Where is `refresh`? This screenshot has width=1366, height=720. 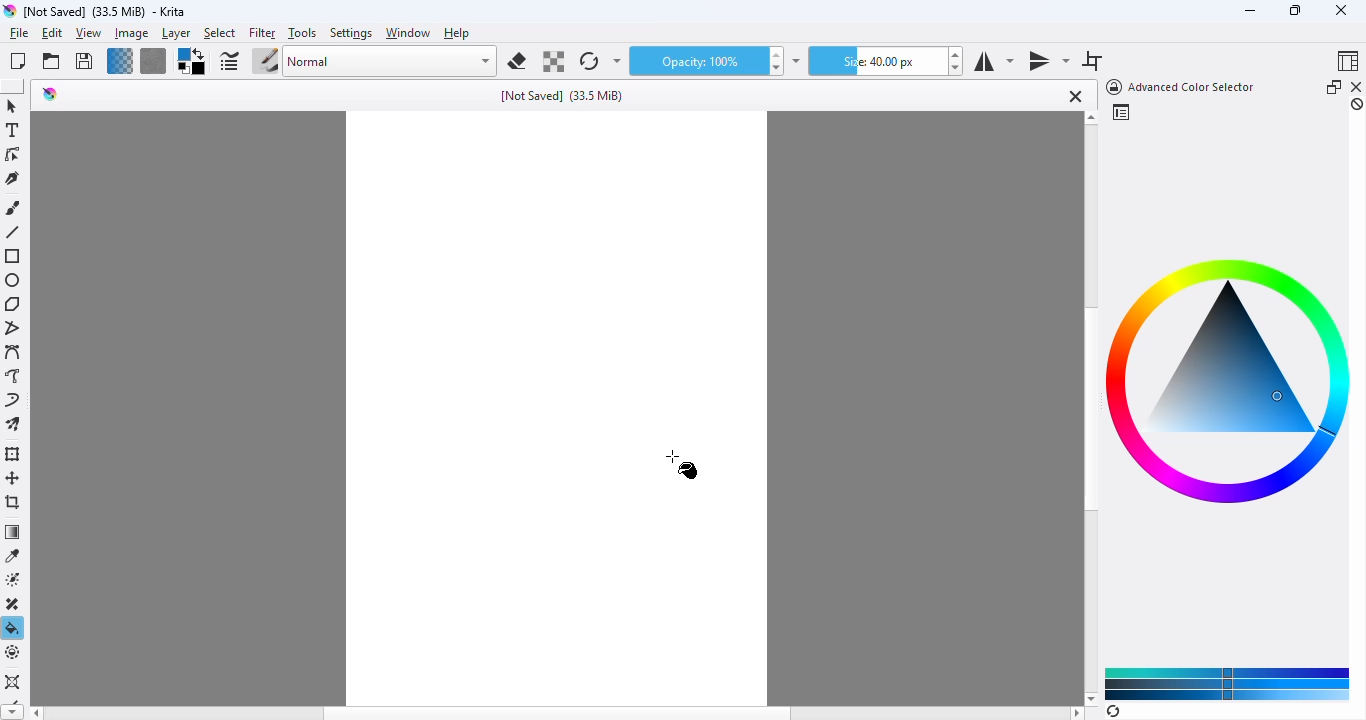
refresh is located at coordinates (1113, 711).